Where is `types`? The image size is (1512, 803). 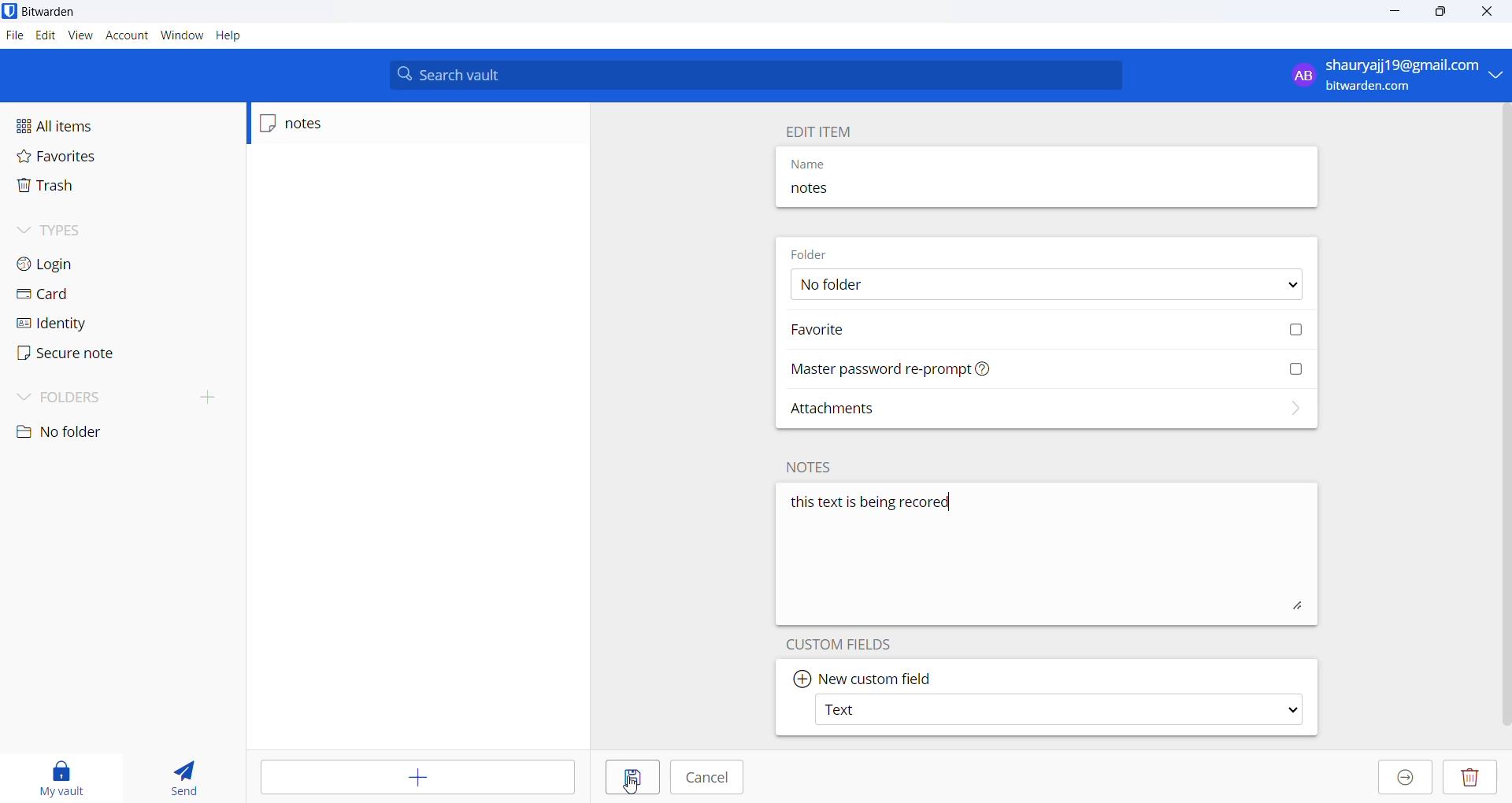 types is located at coordinates (72, 230).